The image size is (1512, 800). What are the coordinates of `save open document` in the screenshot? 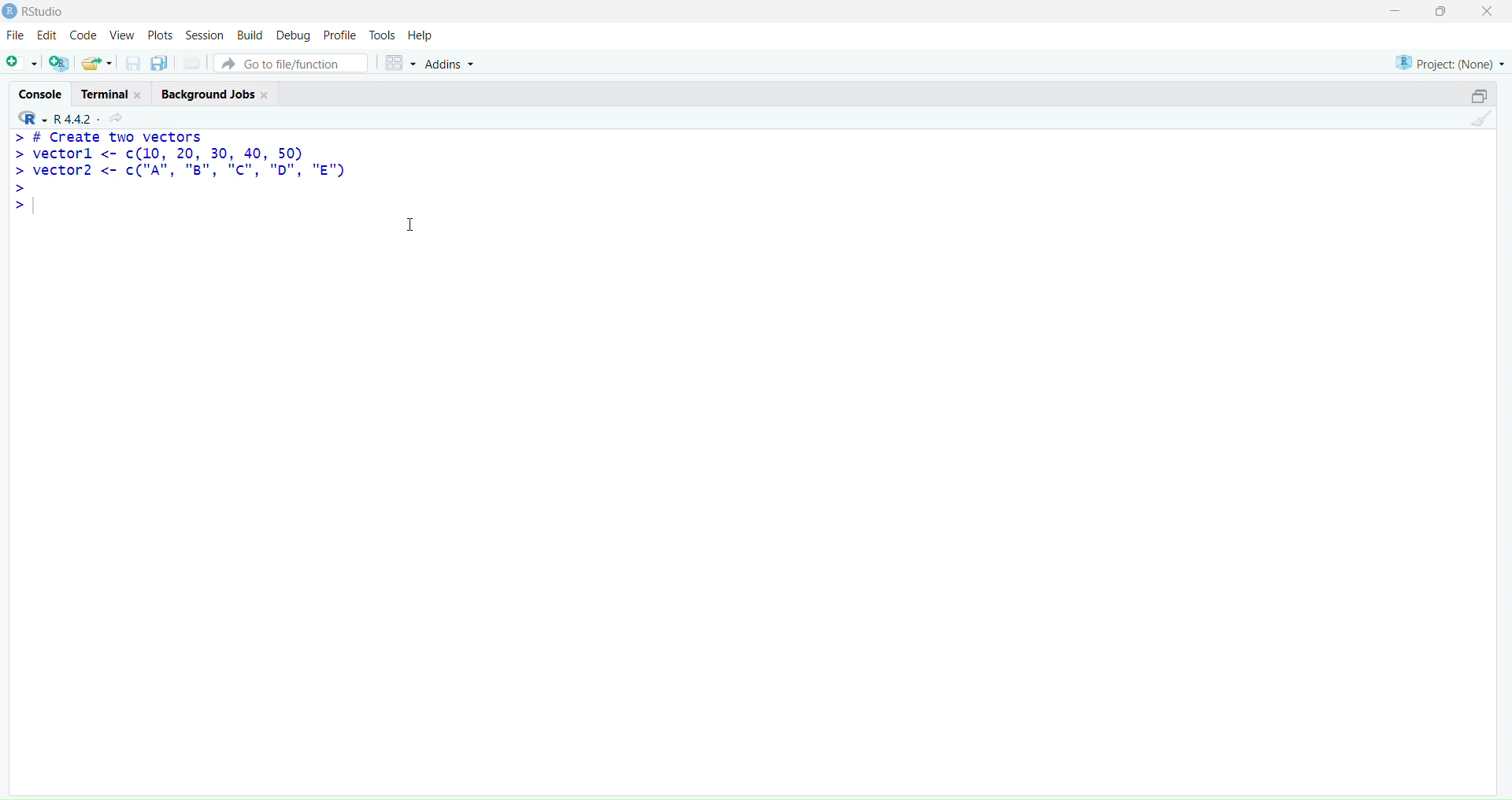 It's located at (132, 65).